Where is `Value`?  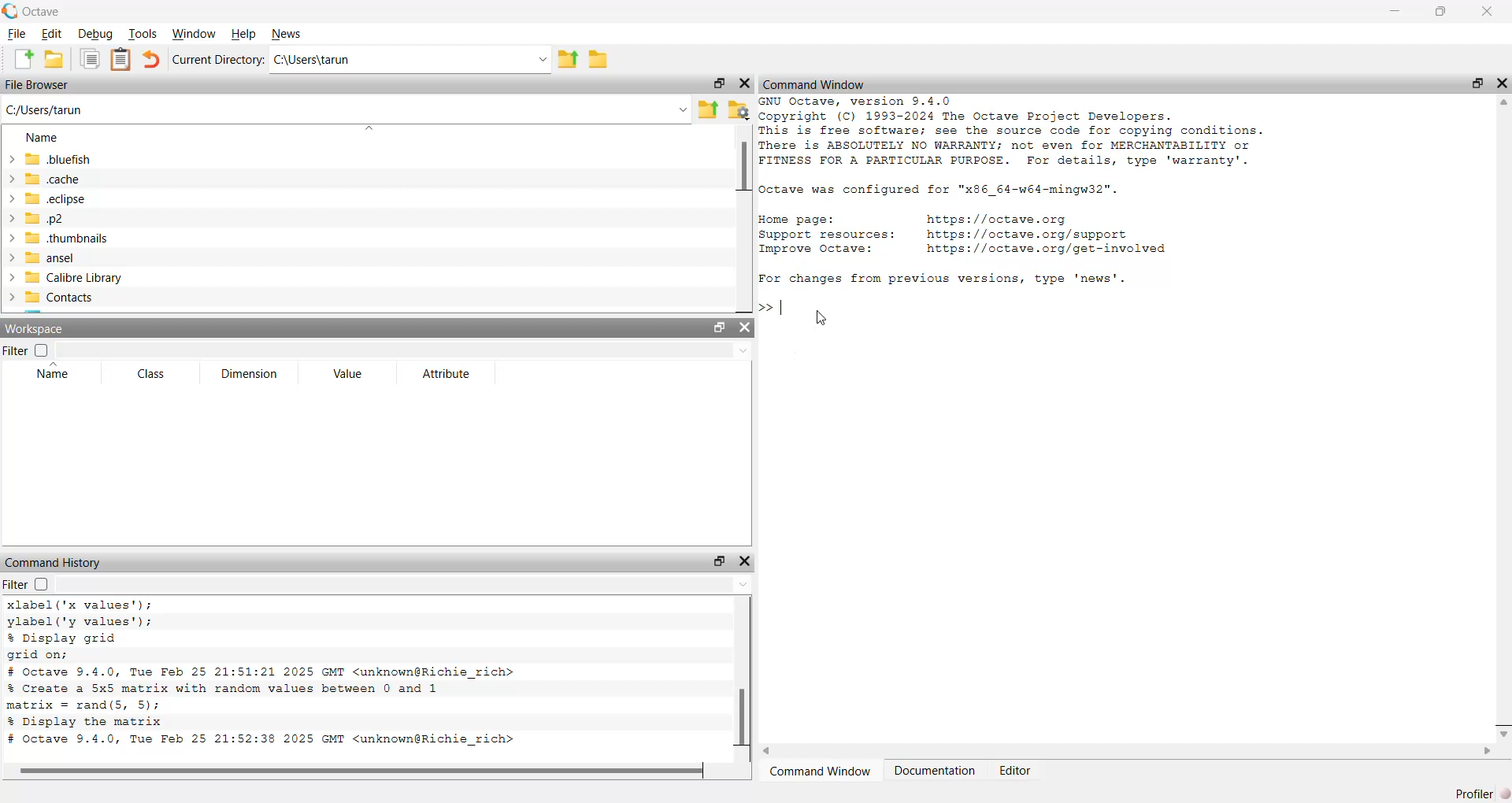 Value is located at coordinates (343, 373).